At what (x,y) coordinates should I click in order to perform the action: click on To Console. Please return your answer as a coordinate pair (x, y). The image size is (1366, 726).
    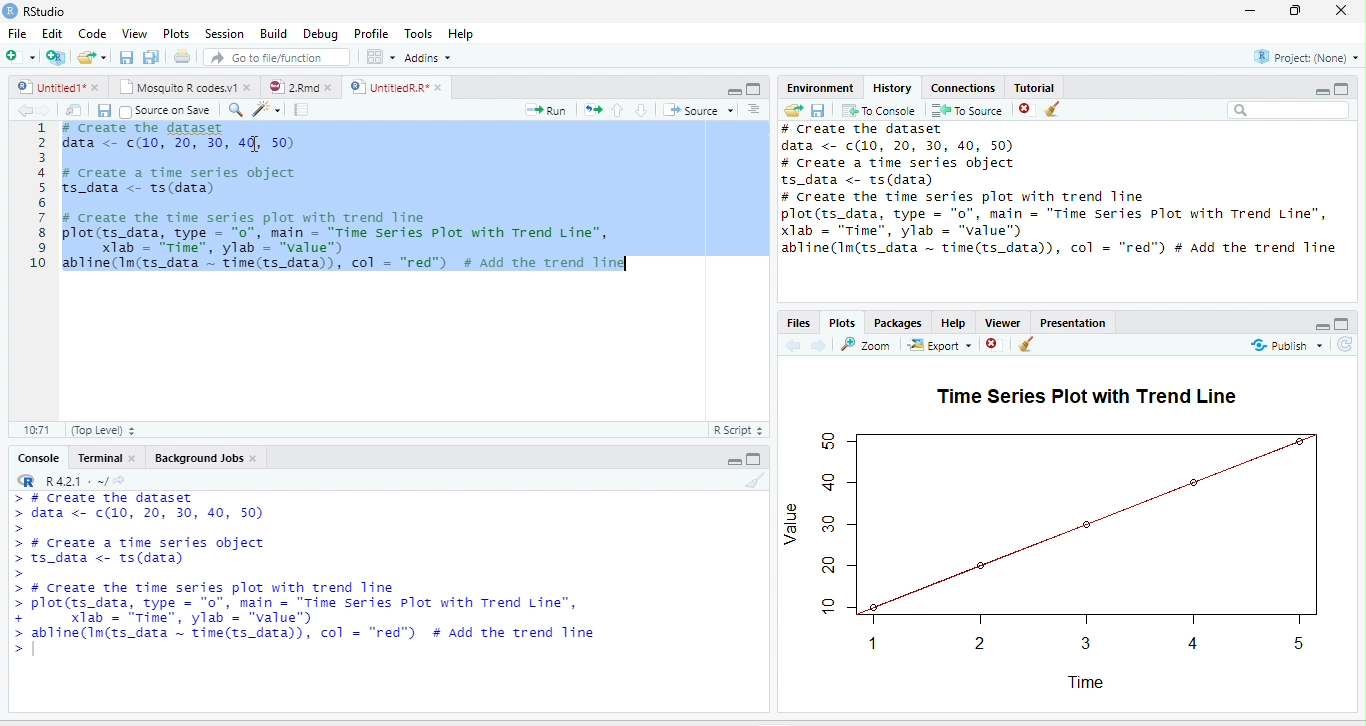
    Looking at the image, I should click on (878, 110).